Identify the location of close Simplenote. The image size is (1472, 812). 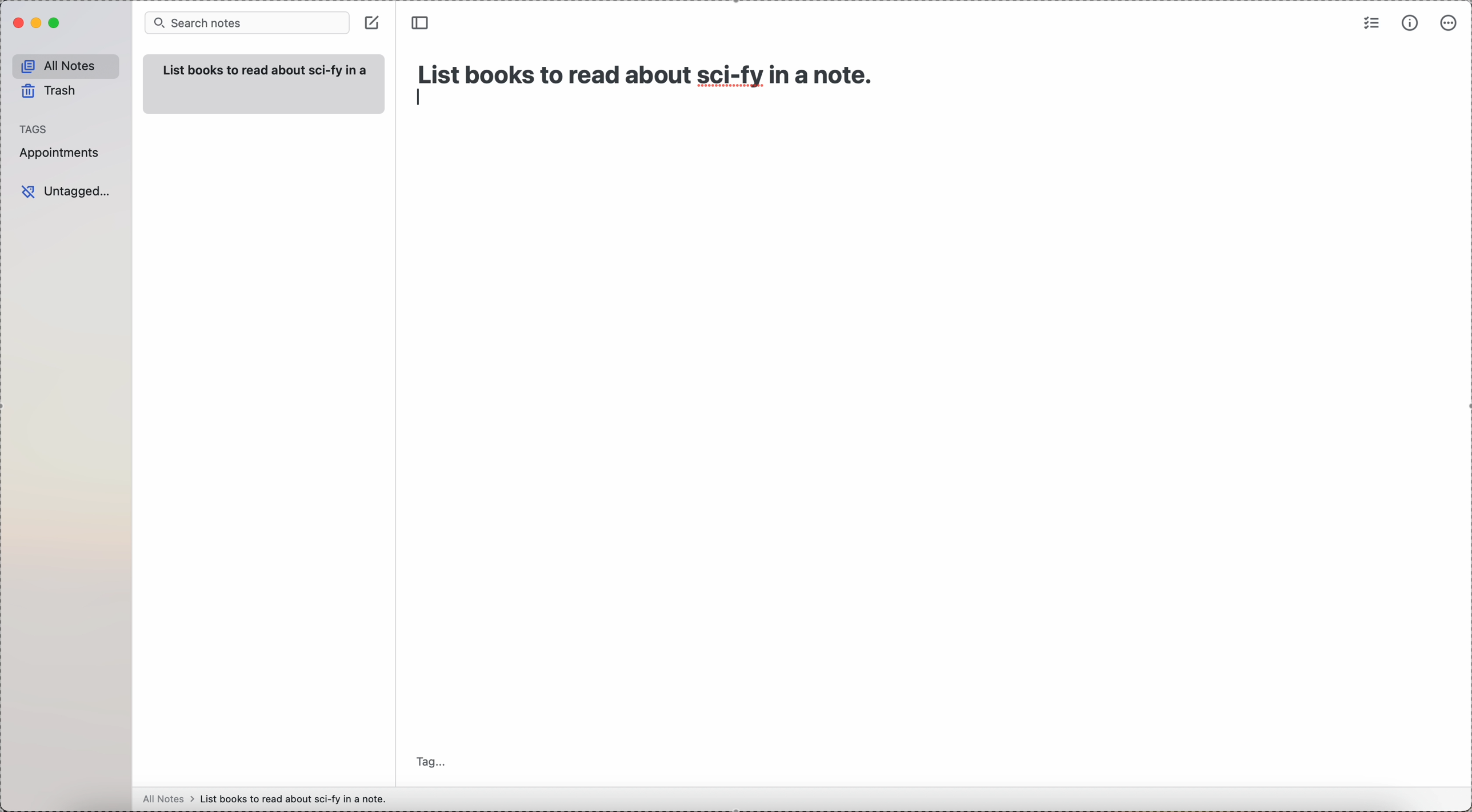
(16, 23).